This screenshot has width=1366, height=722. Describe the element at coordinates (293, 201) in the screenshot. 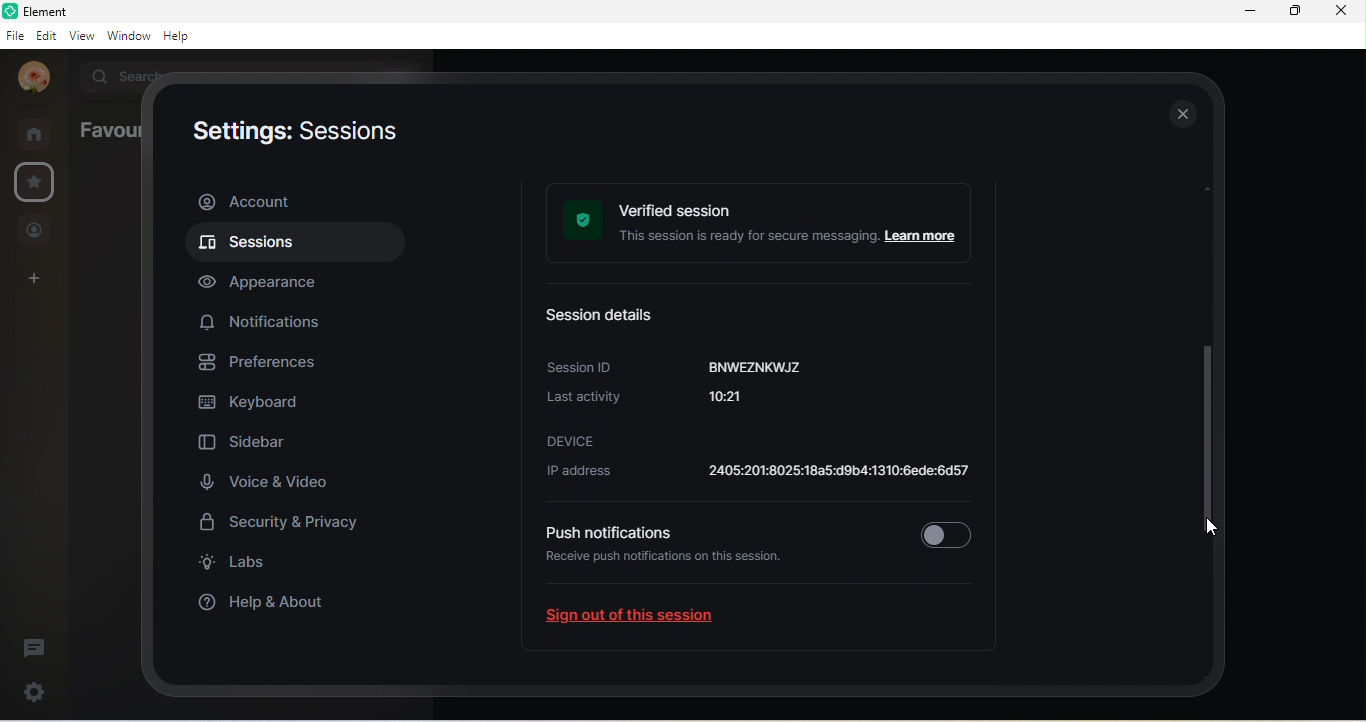

I see `account` at that location.